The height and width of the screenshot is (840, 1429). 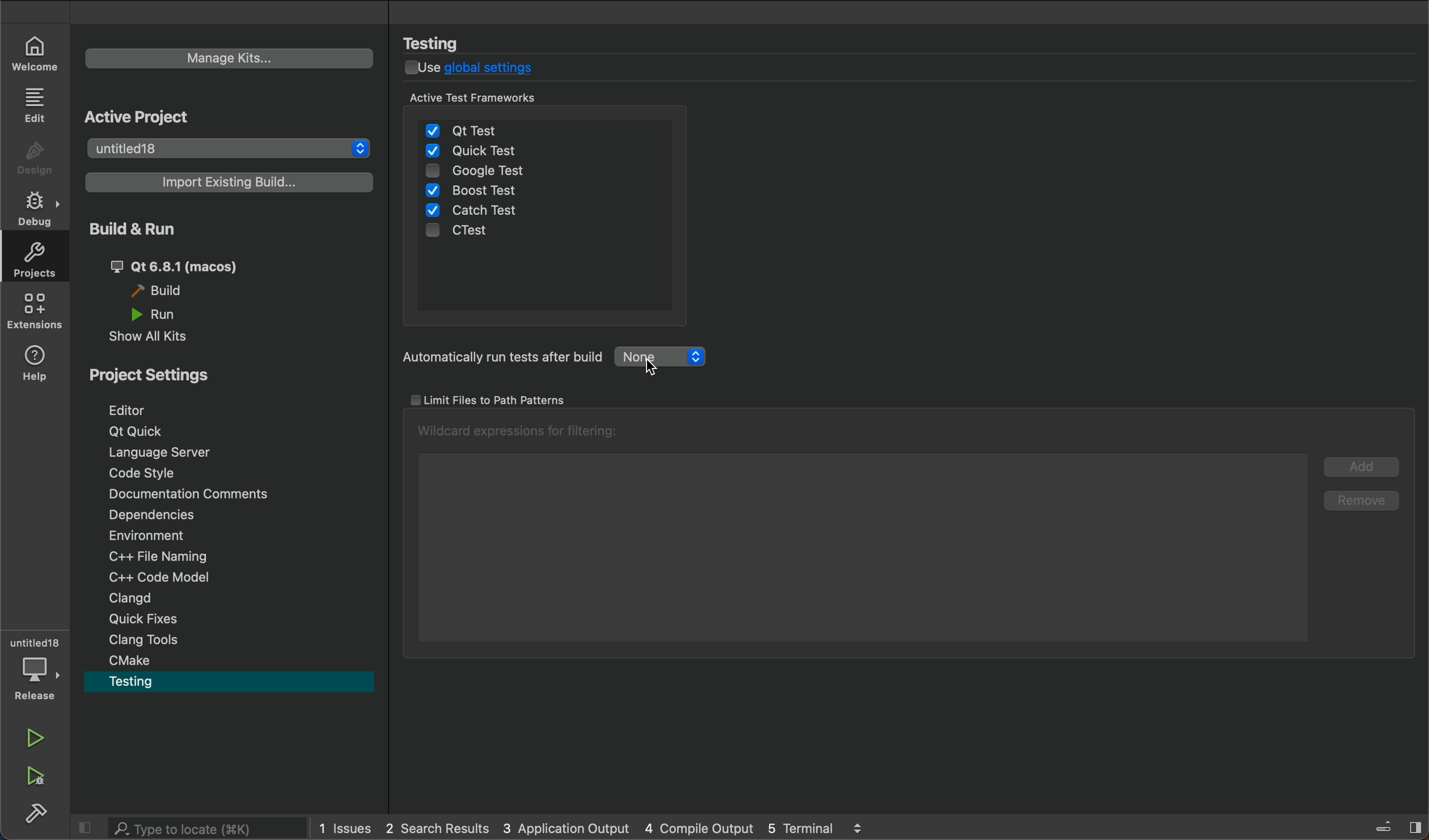 What do you see at coordinates (34, 774) in the screenshot?
I see `run and debug` at bounding box center [34, 774].